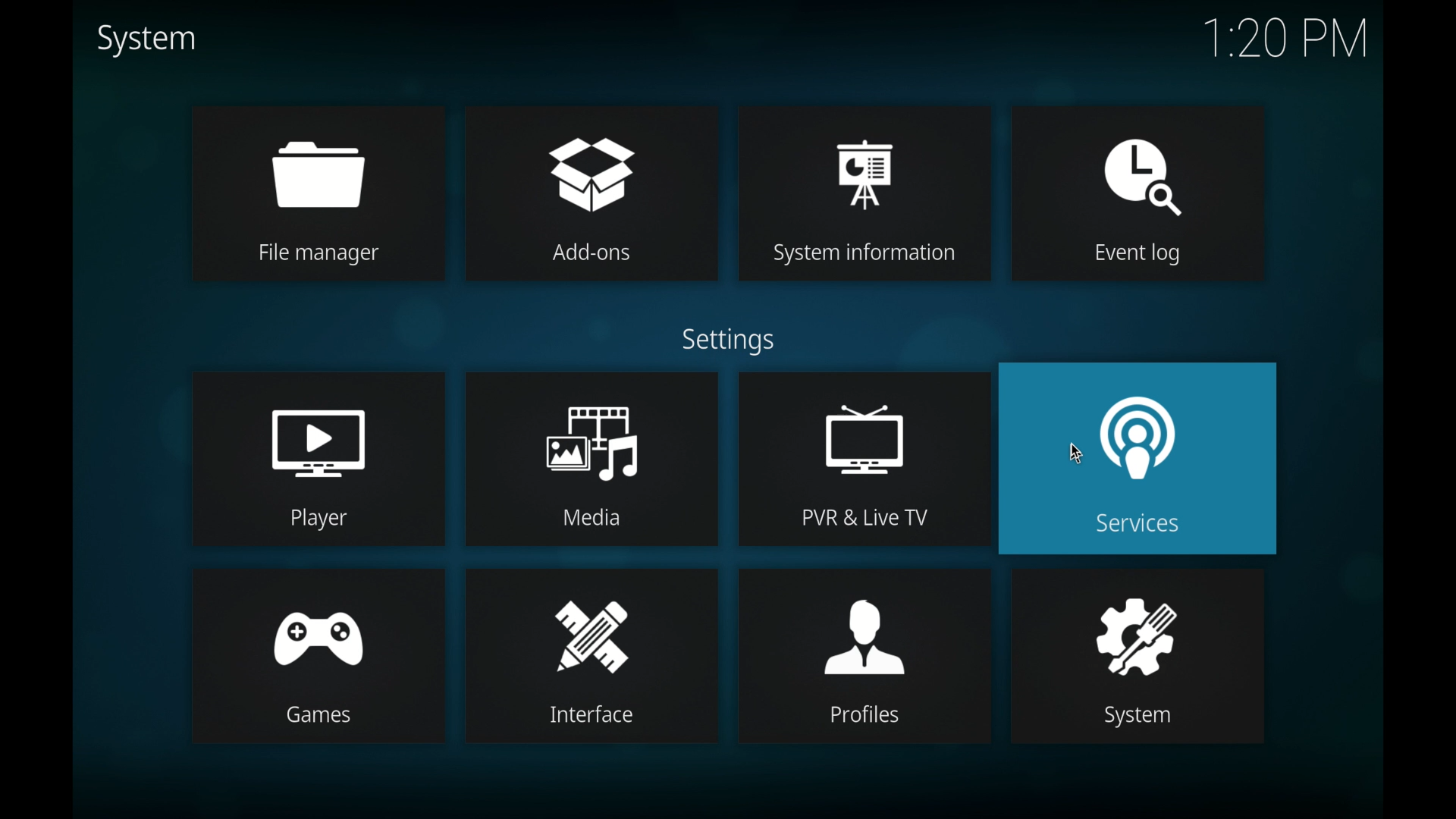 Image resolution: width=1456 pixels, height=819 pixels. Describe the element at coordinates (1137, 657) in the screenshot. I see `system` at that location.